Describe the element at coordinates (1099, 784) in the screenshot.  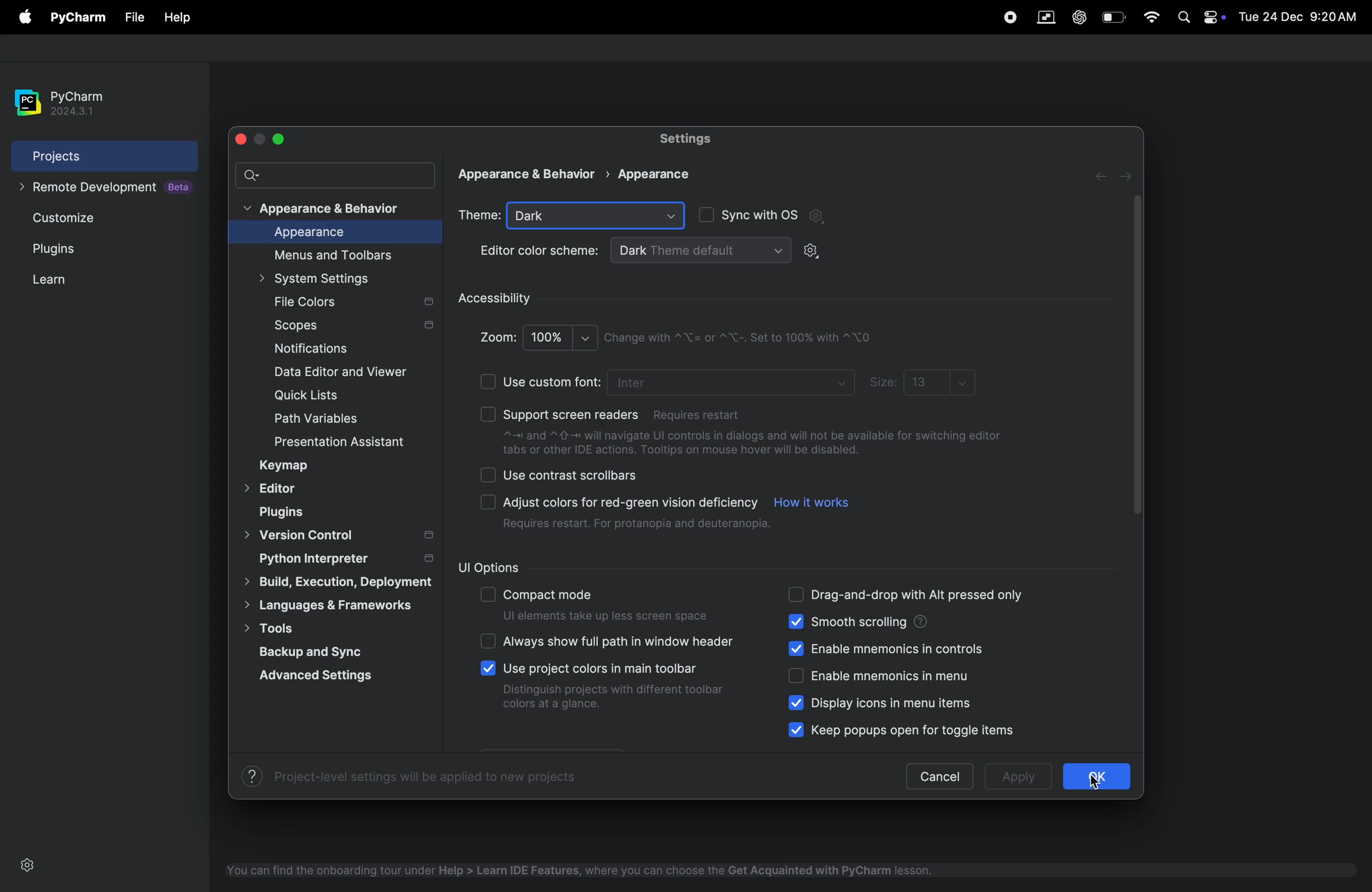
I see `cursor` at that location.